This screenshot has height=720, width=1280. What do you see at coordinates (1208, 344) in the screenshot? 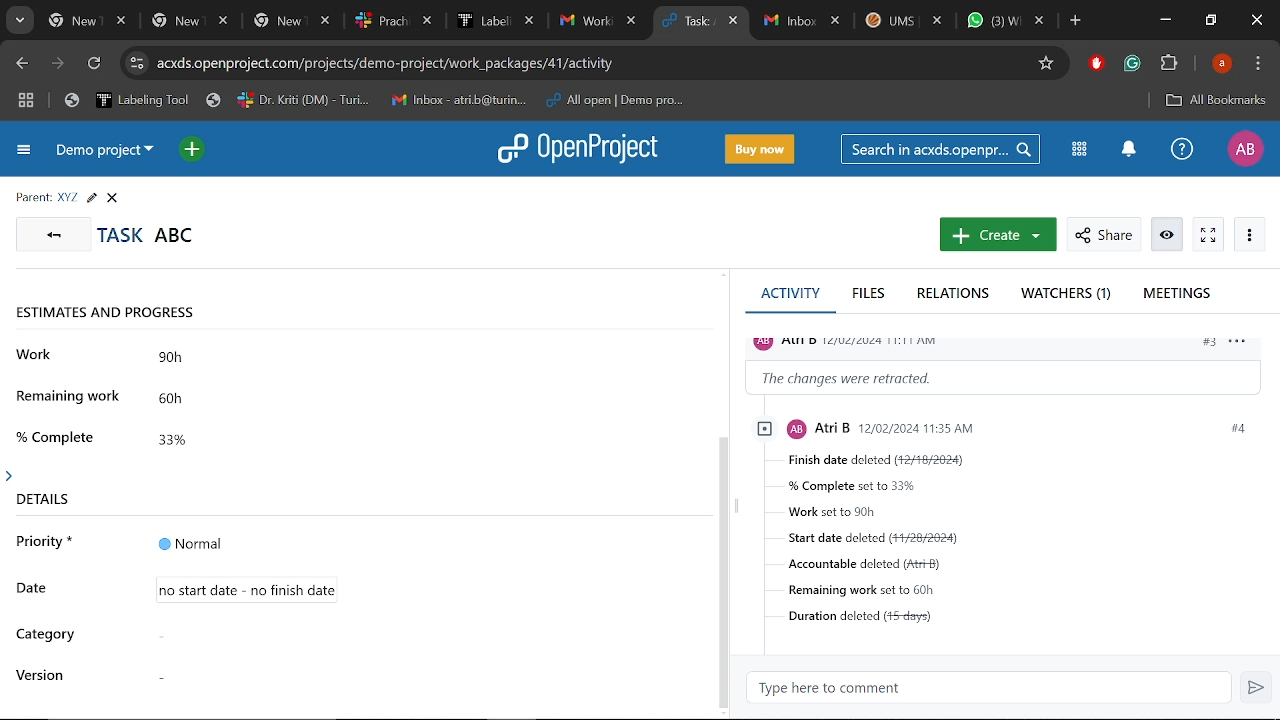
I see `#3` at bounding box center [1208, 344].